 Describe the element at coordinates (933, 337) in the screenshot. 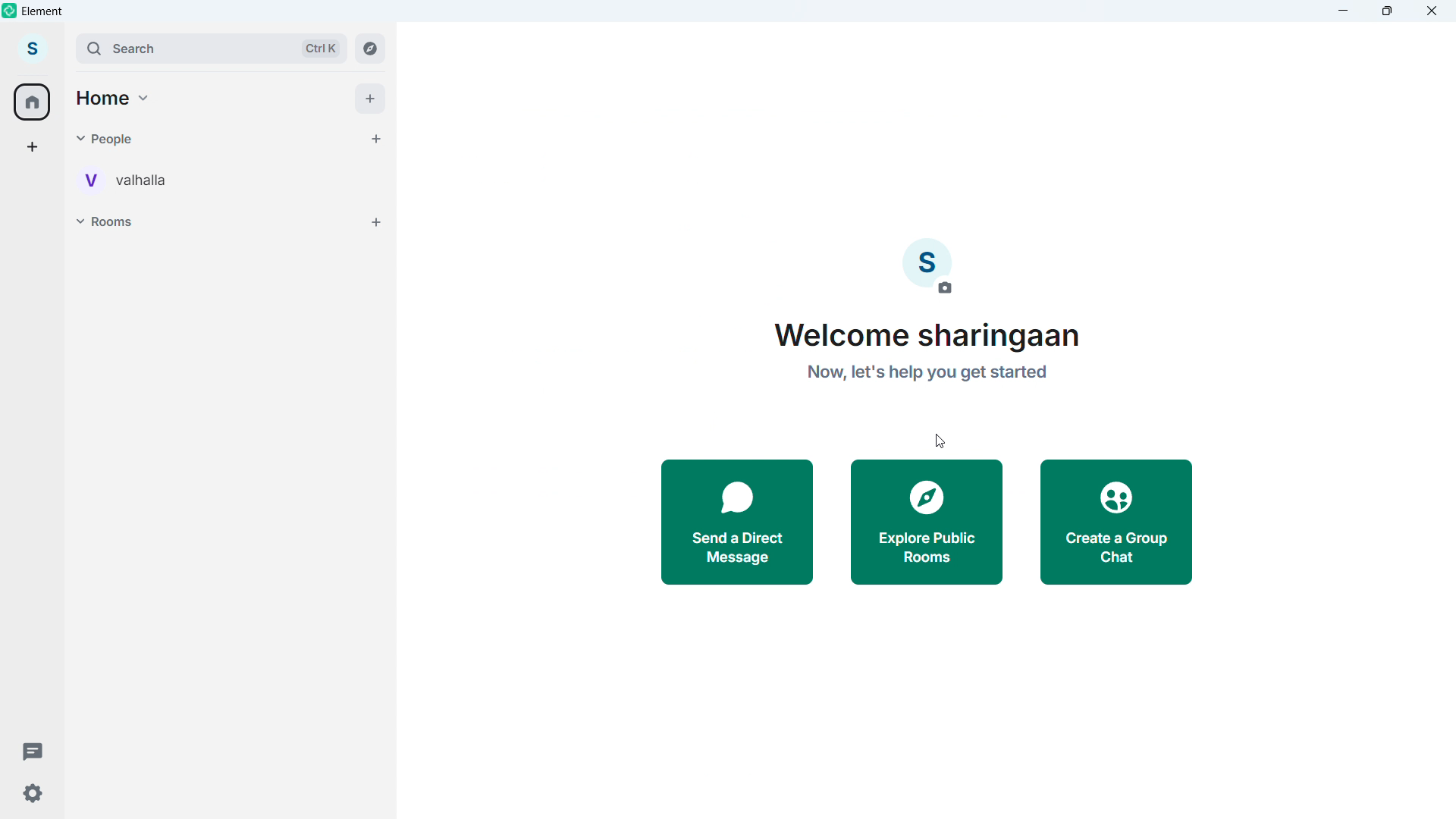

I see `Welcome sharingaan` at that location.